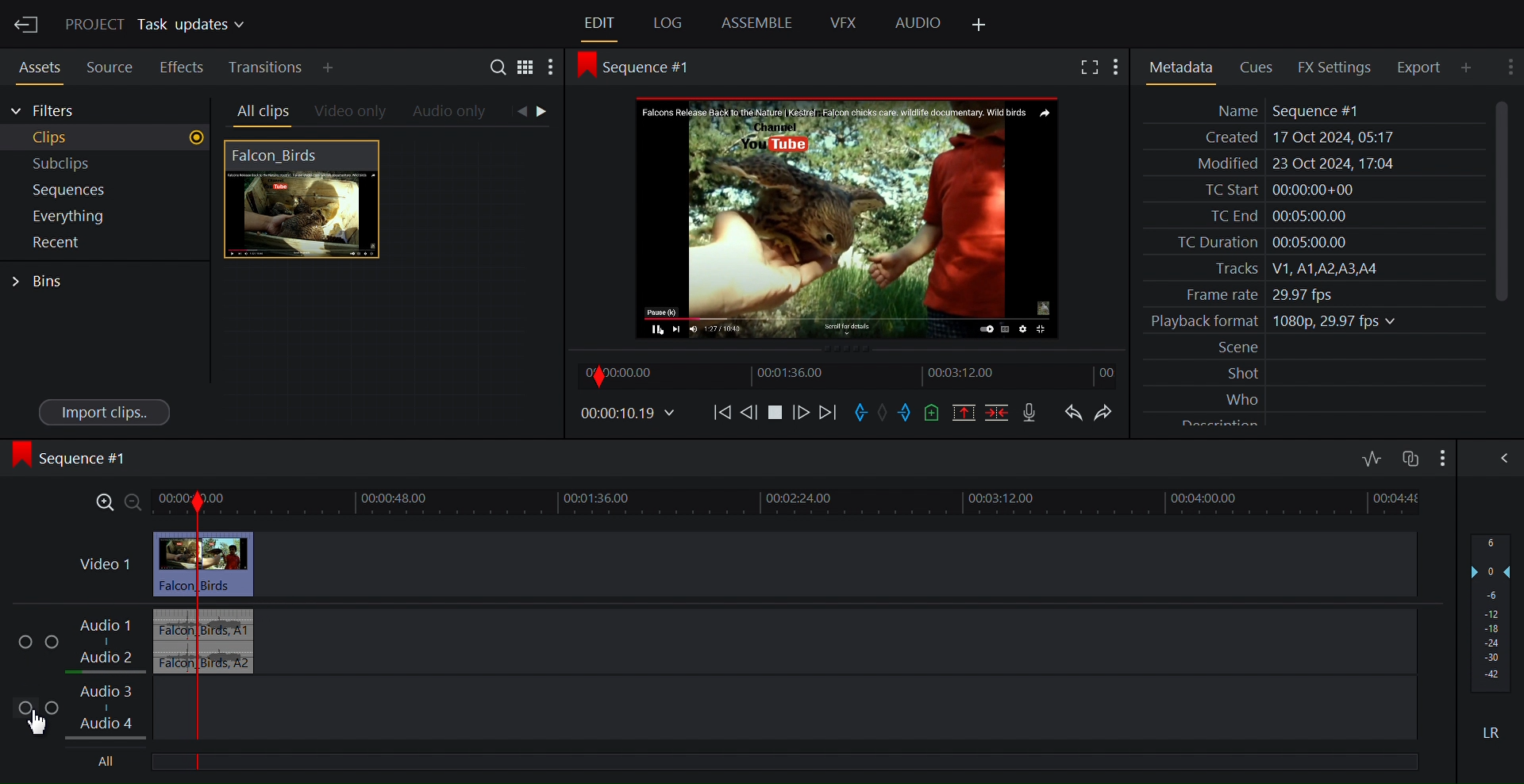 The height and width of the screenshot is (784, 1524). Describe the element at coordinates (1109, 413) in the screenshot. I see `Redo` at that location.